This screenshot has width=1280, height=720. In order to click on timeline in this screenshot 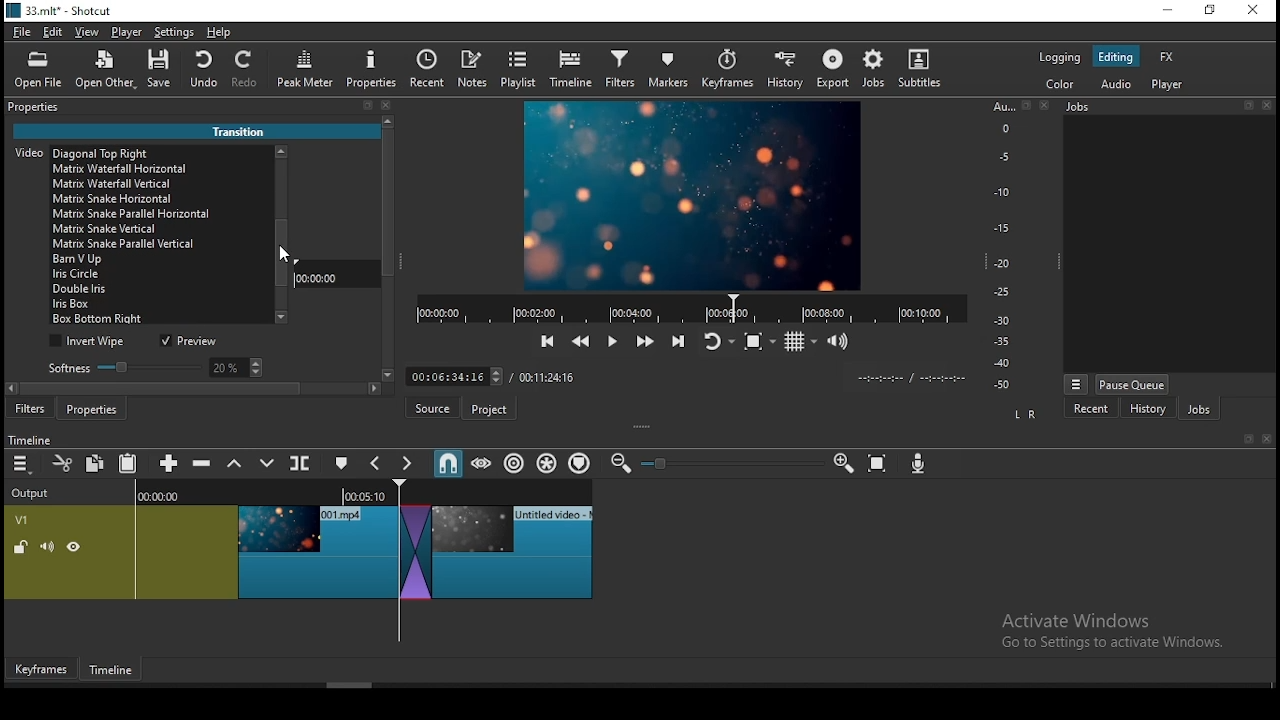, I will do `click(33, 439)`.